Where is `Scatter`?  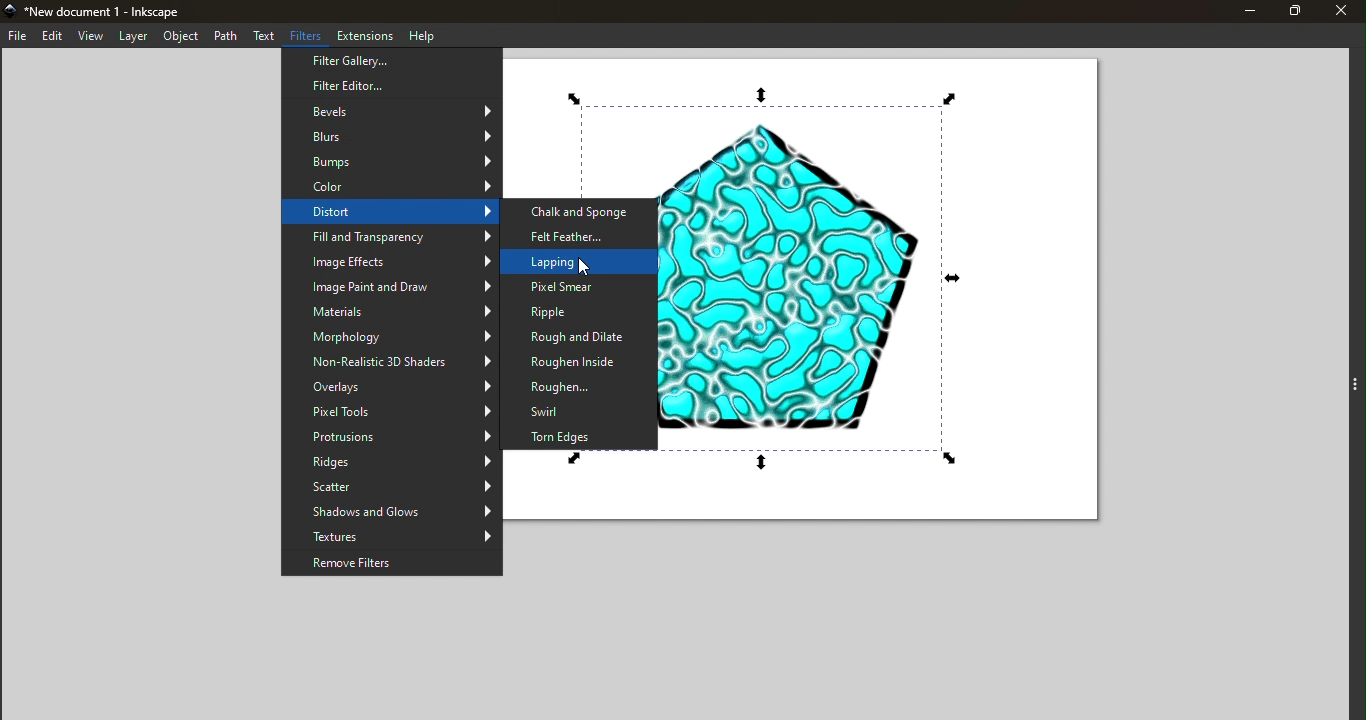 Scatter is located at coordinates (392, 487).